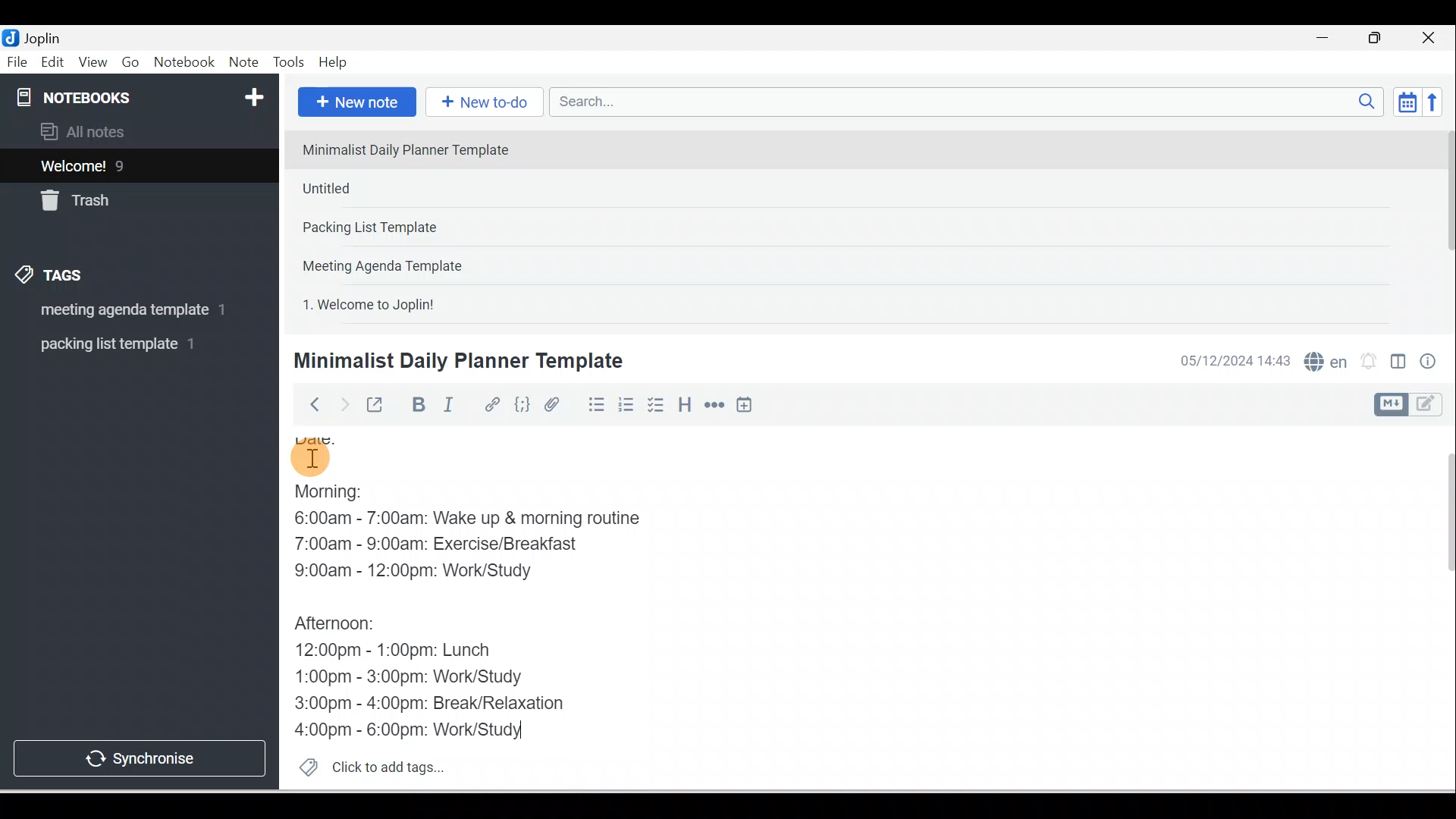 This screenshot has height=819, width=1456. I want to click on Close, so click(1432, 38).